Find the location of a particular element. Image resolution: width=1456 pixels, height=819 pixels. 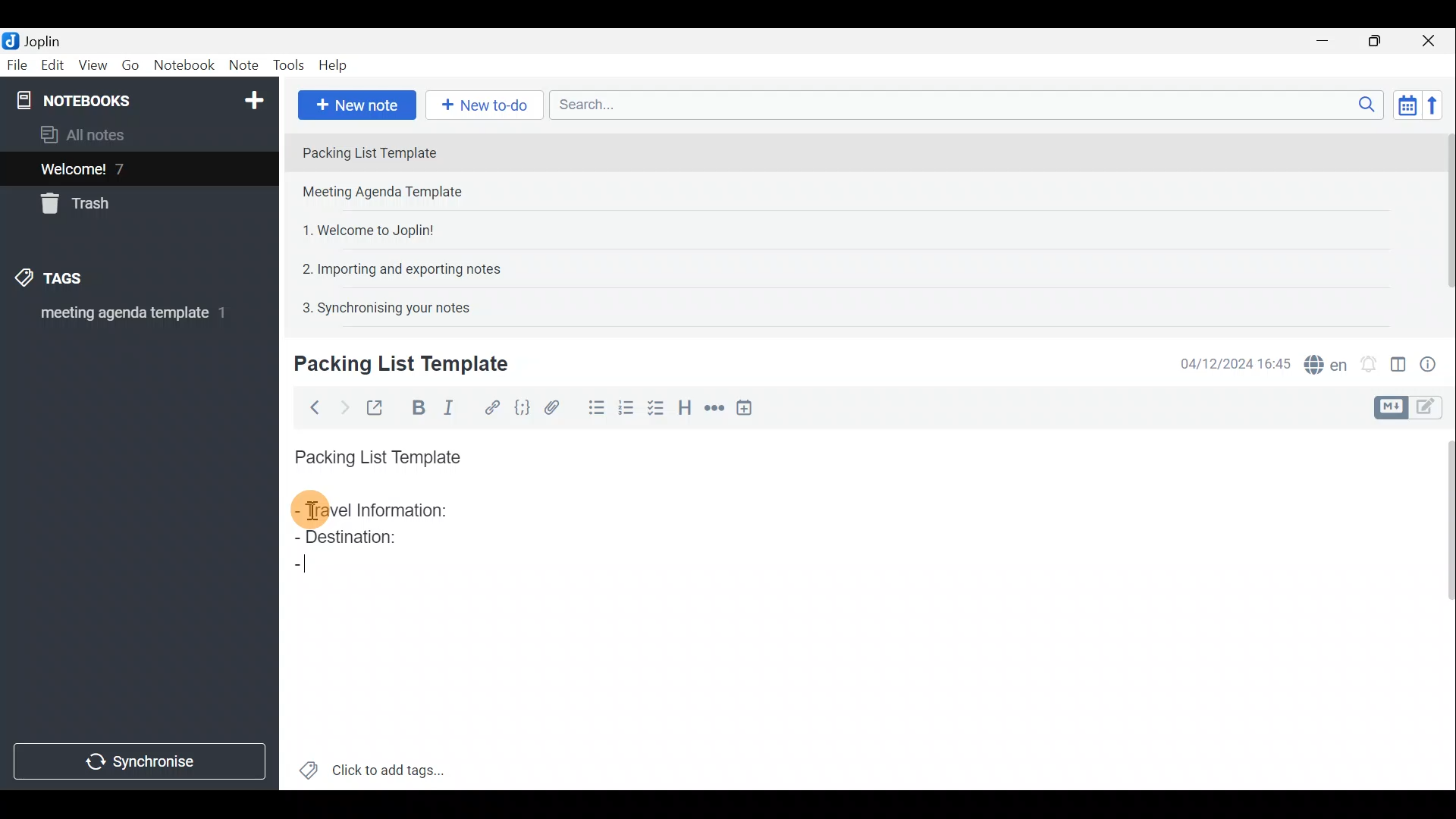

Scroll bar is located at coordinates (1442, 607).